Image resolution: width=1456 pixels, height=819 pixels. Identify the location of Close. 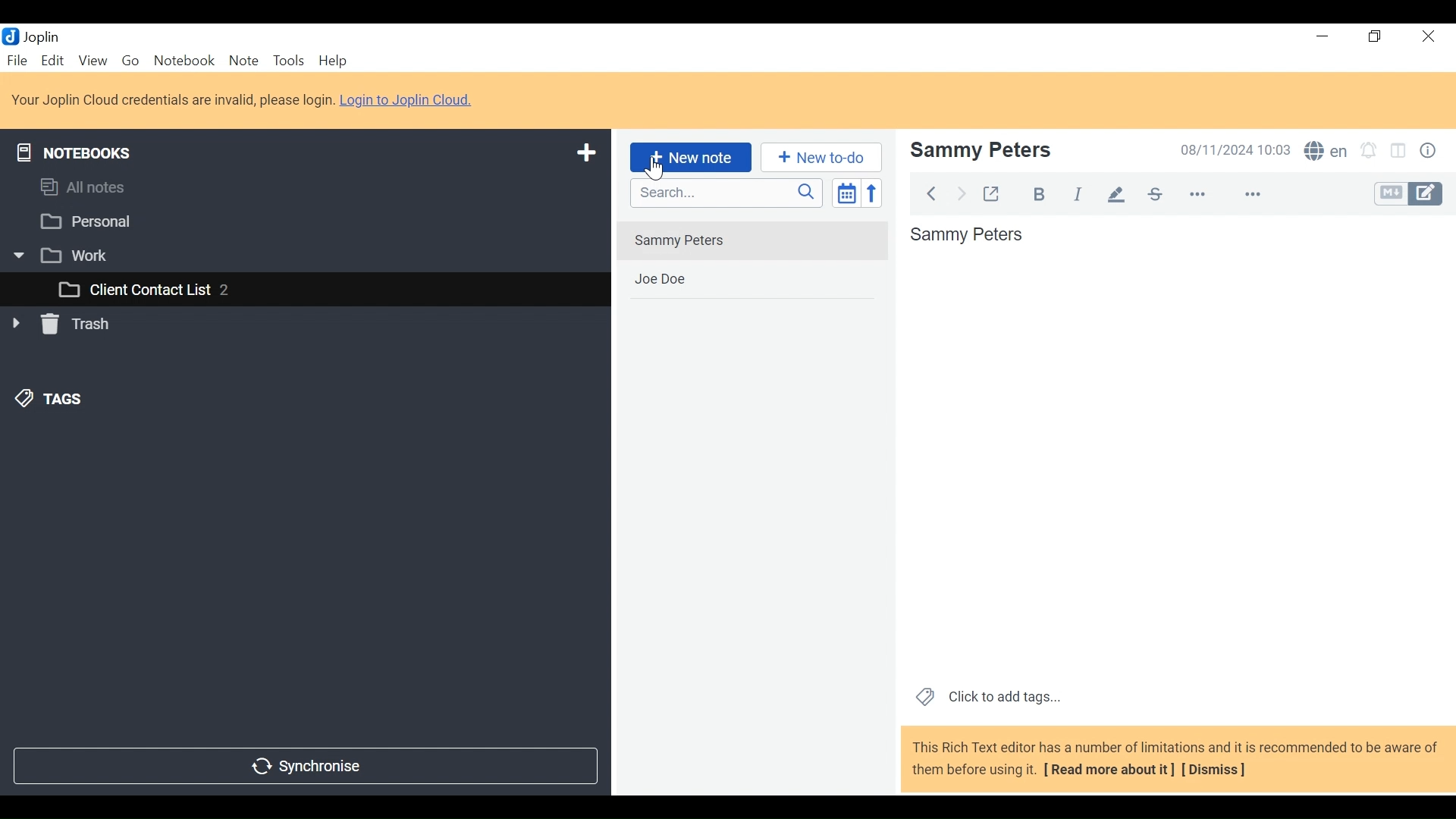
(1431, 36).